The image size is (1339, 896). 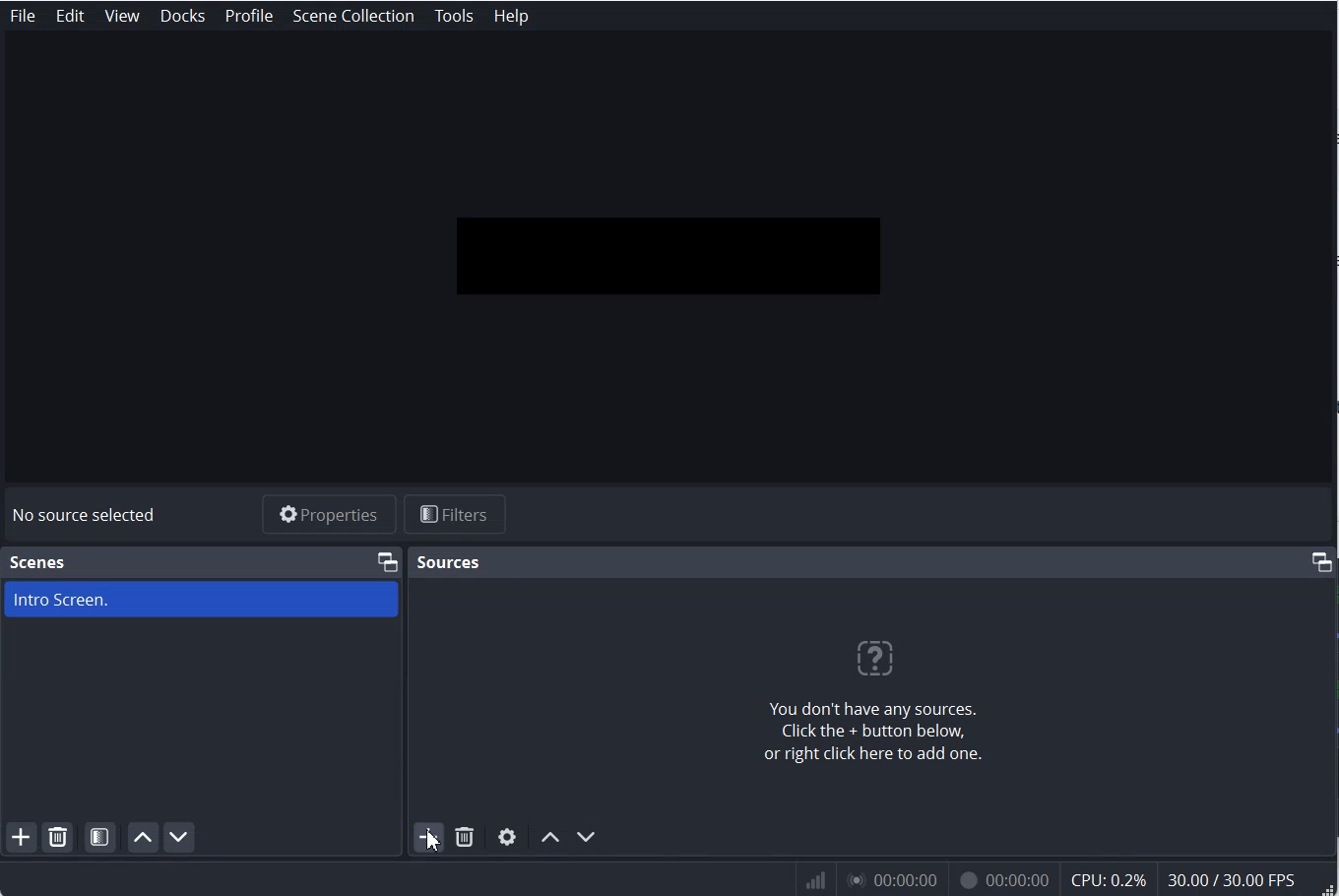 What do you see at coordinates (71, 16) in the screenshot?
I see `Edit` at bounding box center [71, 16].